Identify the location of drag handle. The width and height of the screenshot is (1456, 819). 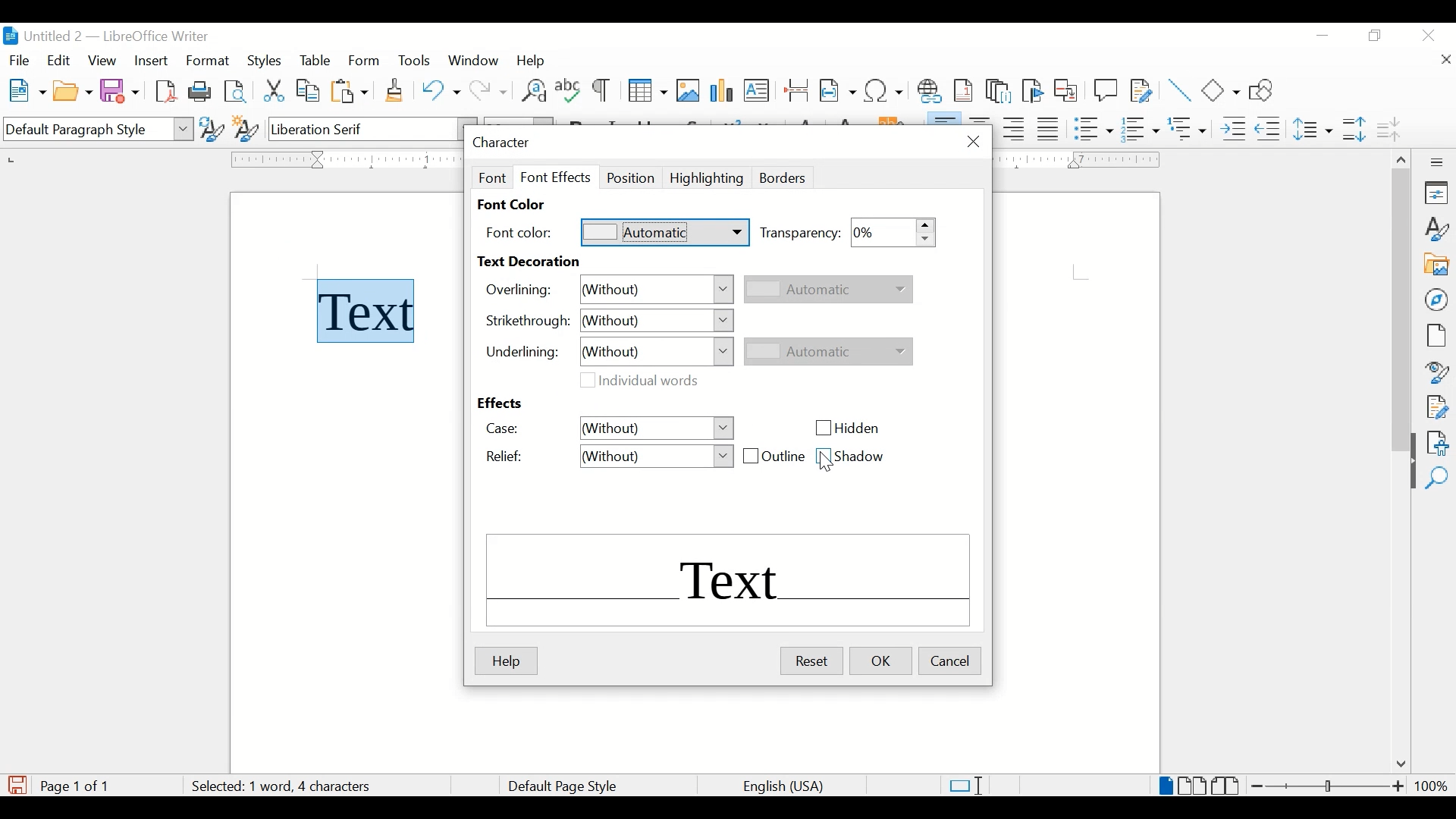
(1407, 475).